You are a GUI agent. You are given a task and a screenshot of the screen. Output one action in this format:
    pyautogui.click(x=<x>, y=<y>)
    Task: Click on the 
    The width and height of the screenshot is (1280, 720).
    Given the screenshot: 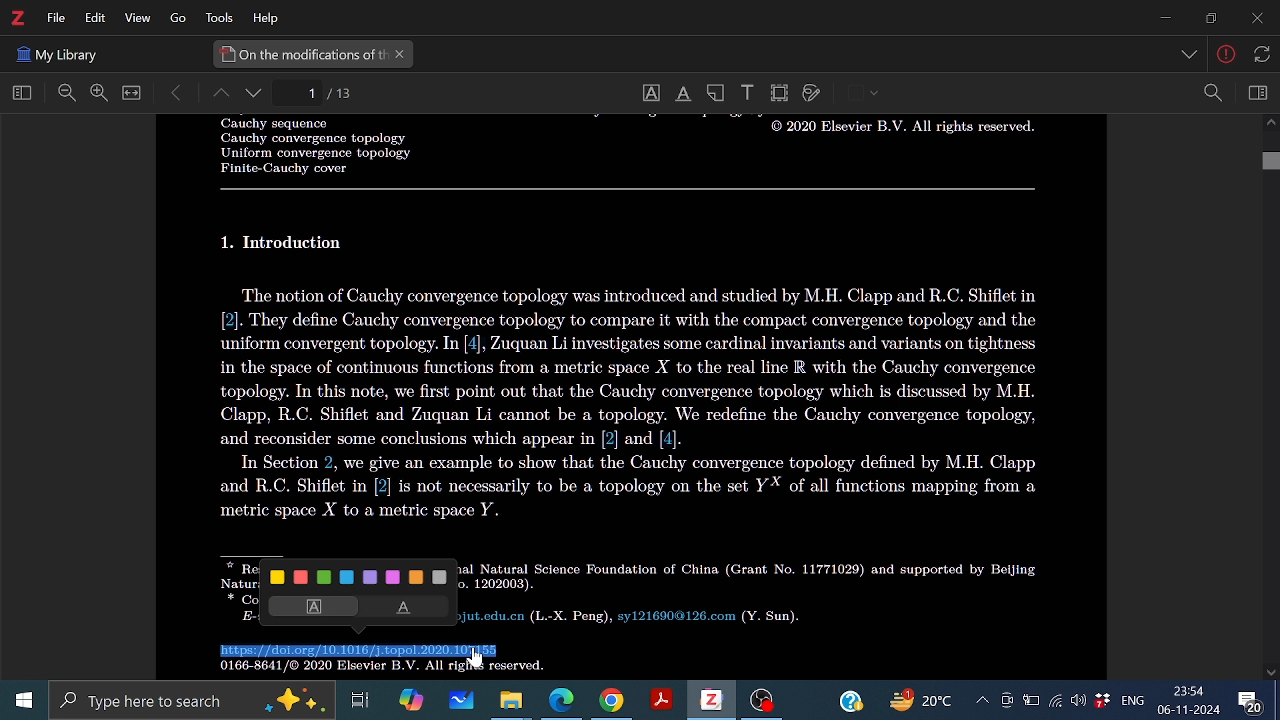 What is the action you would take?
    pyautogui.click(x=1191, y=56)
    